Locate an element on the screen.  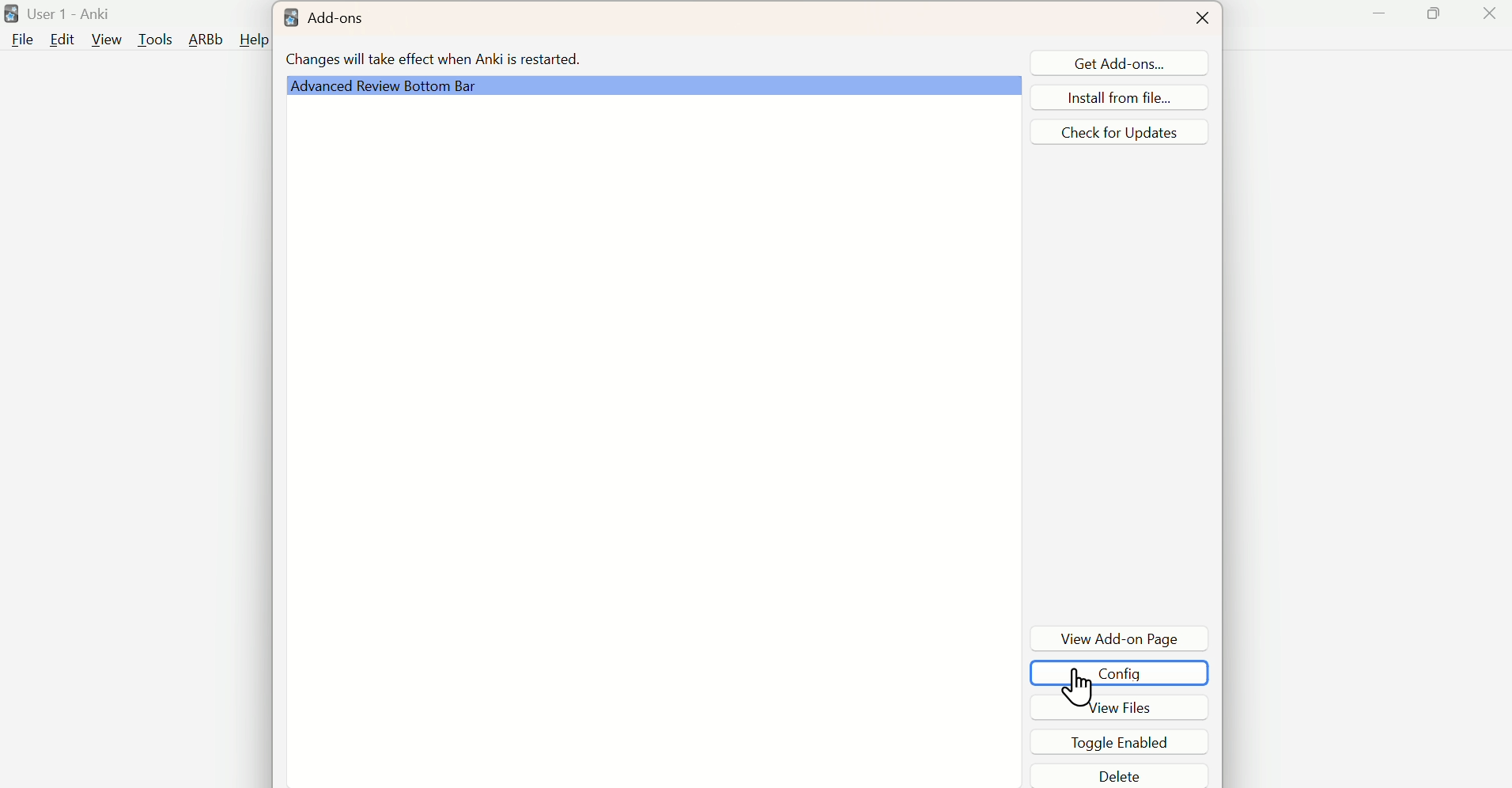
Add-ons is located at coordinates (323, 18).